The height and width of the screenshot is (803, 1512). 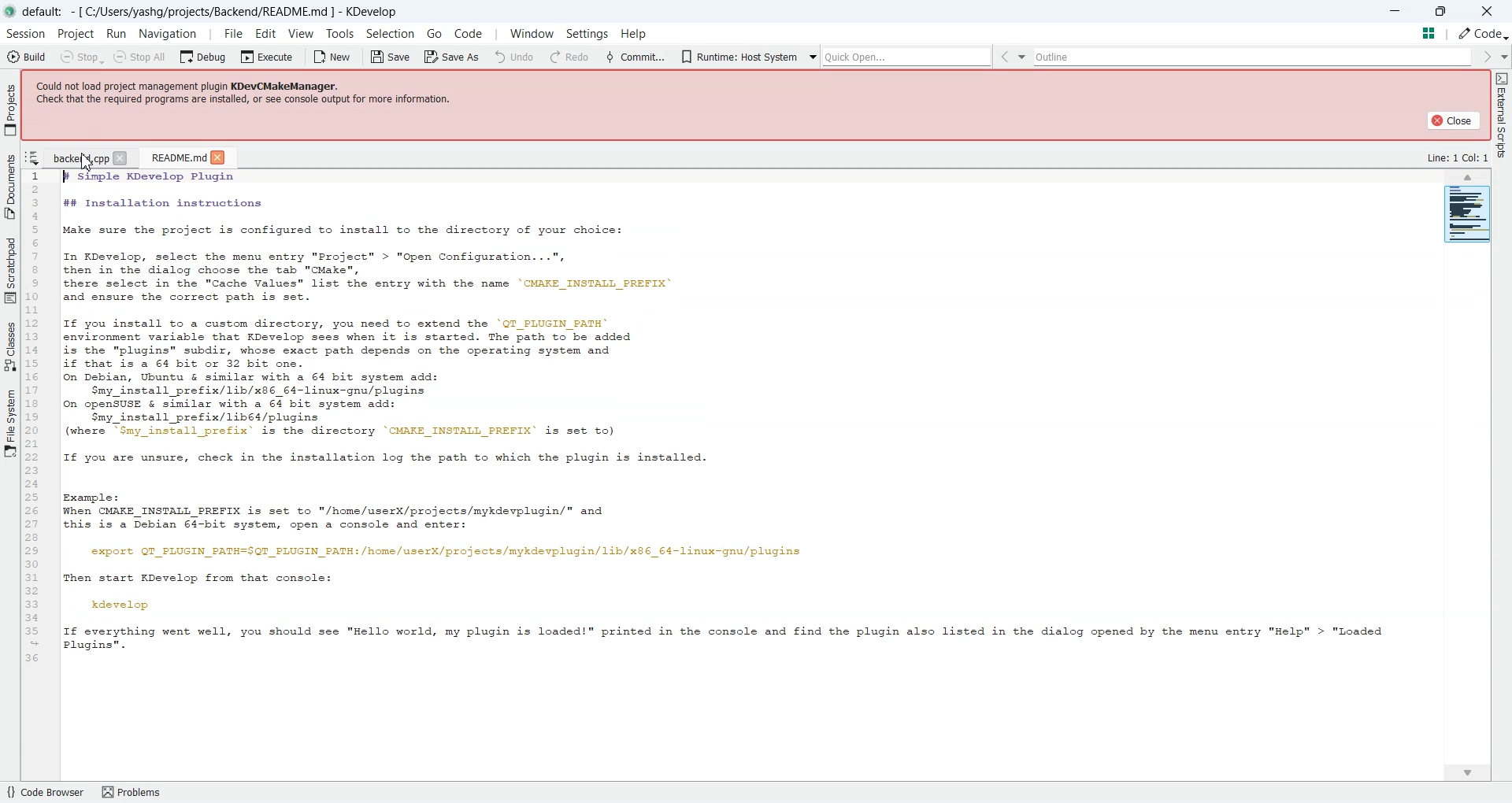 I want to click on Drop down box, so click(x=581, y=55).